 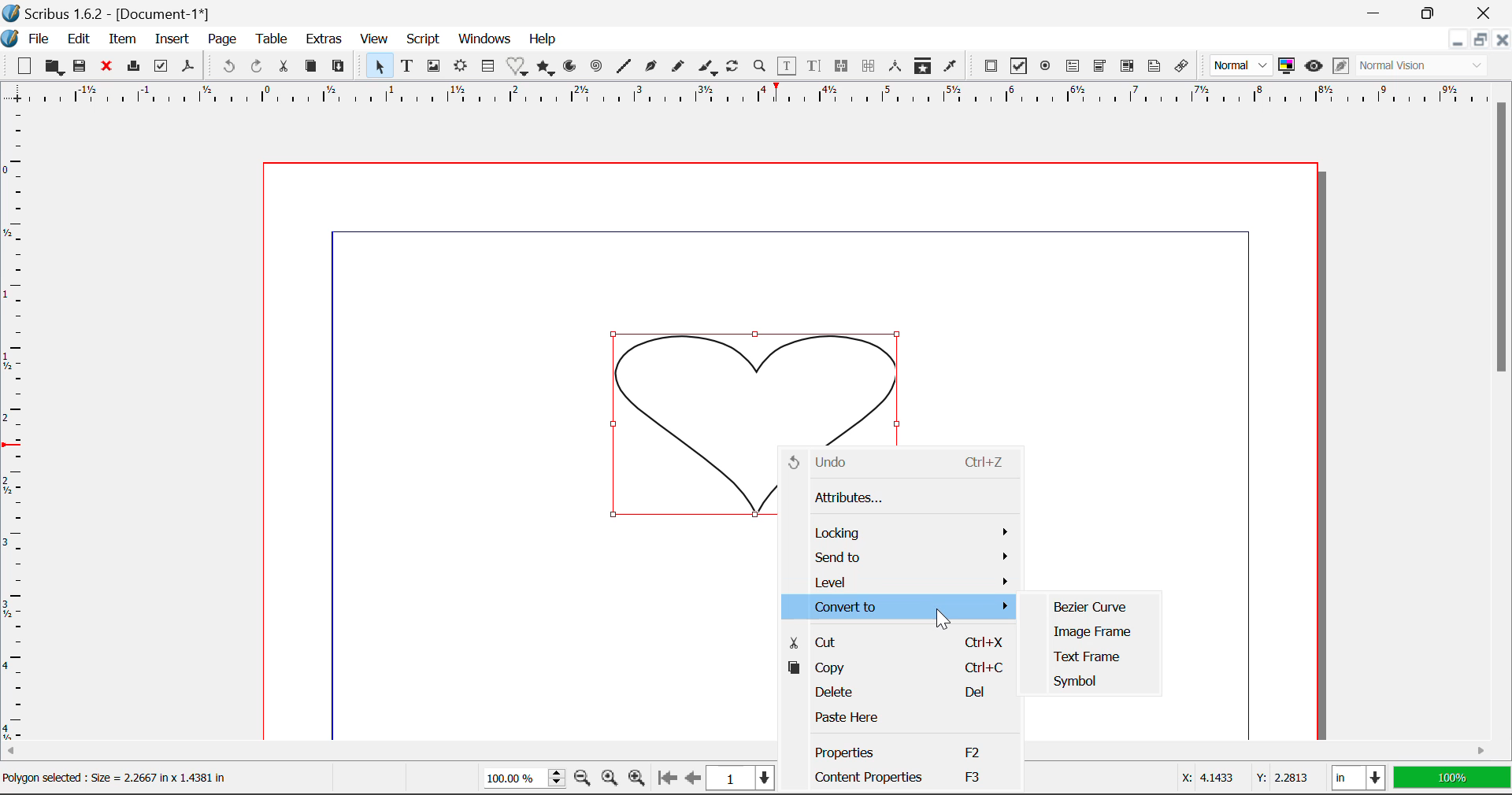 I want to click on Undo, so click(x=226, y=67).